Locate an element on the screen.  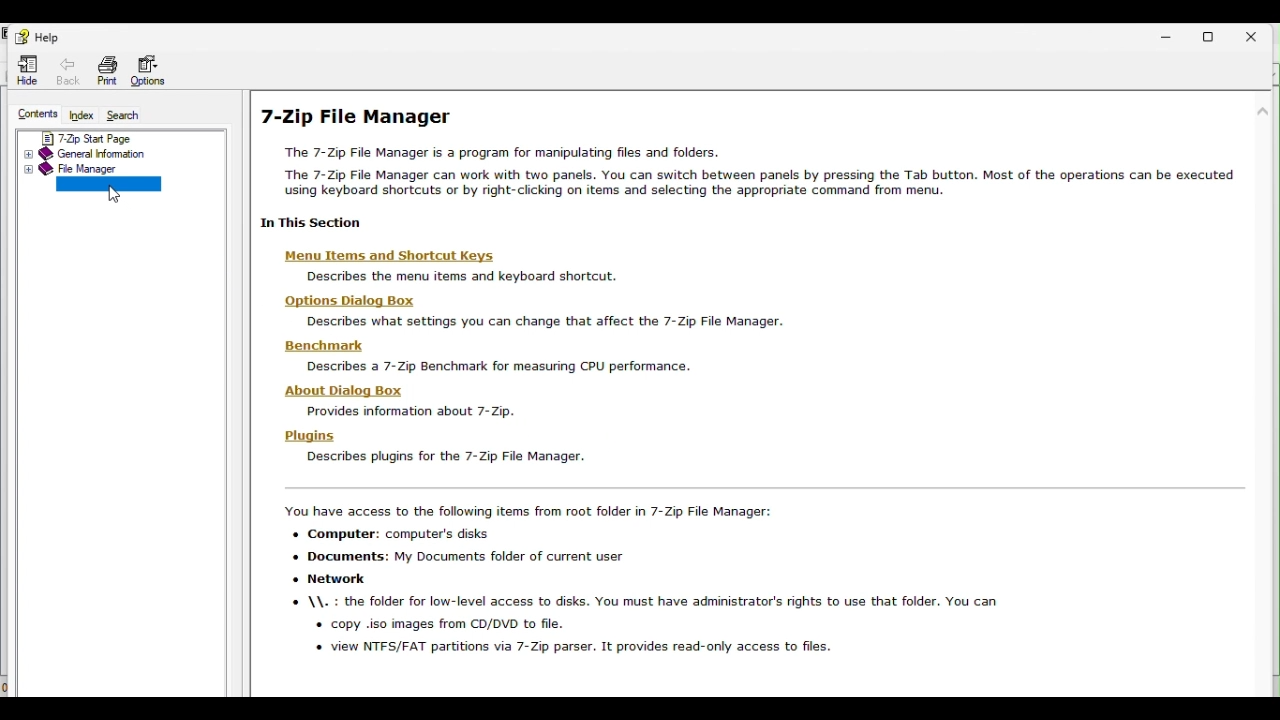
options dialog box is located at coordinates (349, 300).